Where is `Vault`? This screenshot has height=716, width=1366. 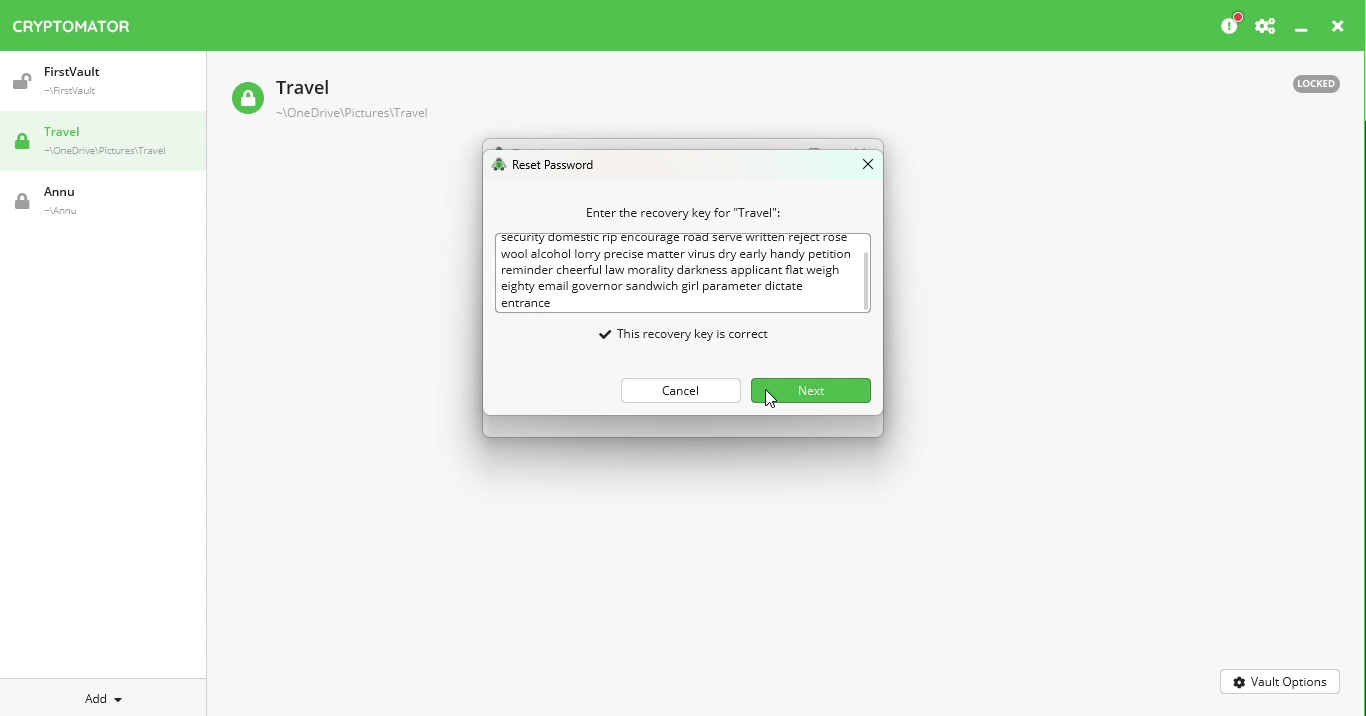 Vault is located at coordinates (329, 101).